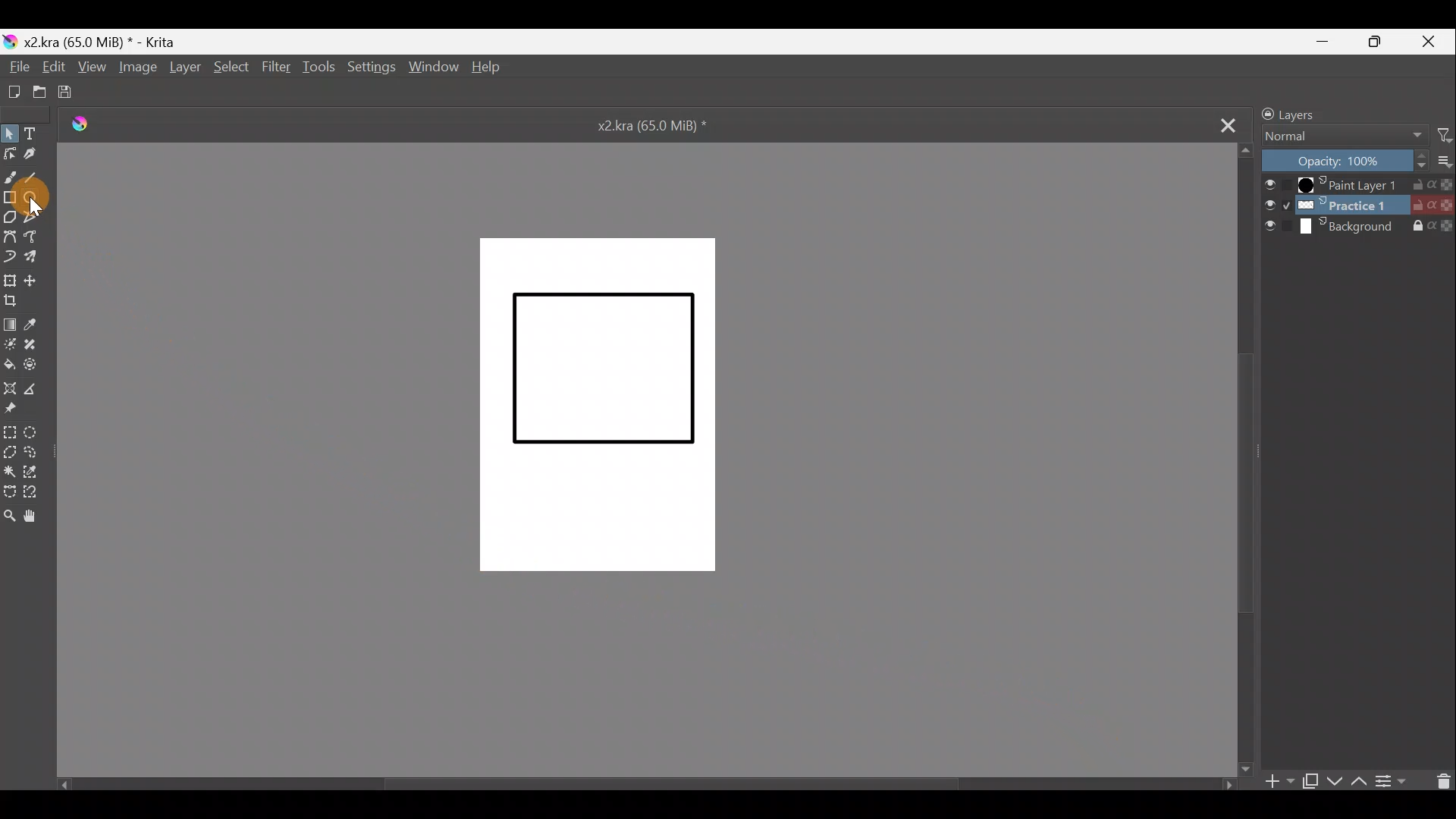 The height and width of the screenshot is (819, 1456). What do you see at coordinates (9, 365) in the screenshot?
I see `Fill a contiguous area of colour with colour/fill a selection` at bounding box center [9, 365].